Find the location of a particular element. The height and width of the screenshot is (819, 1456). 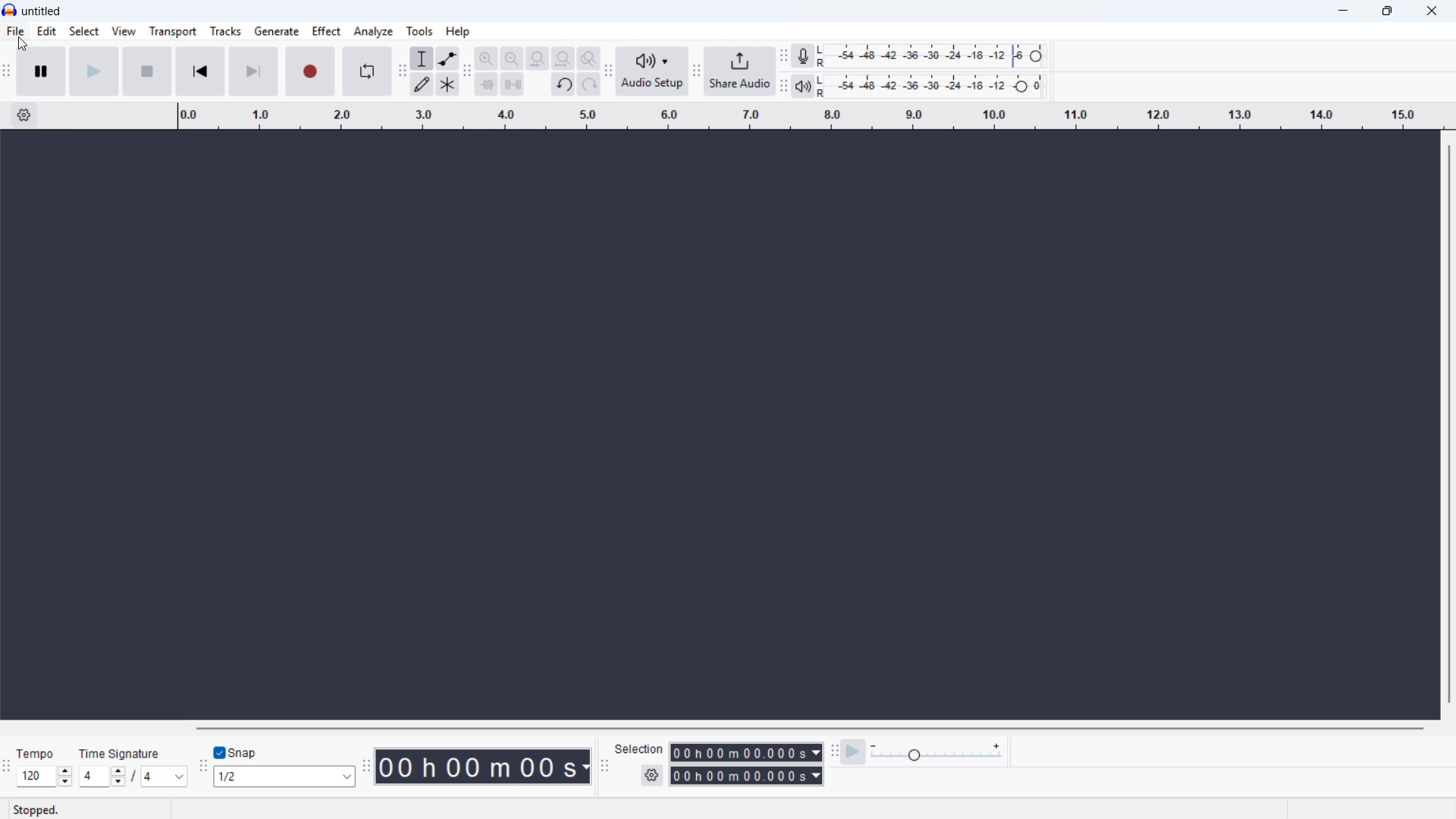

Envelope tool  is located at coordinates (447, 58).